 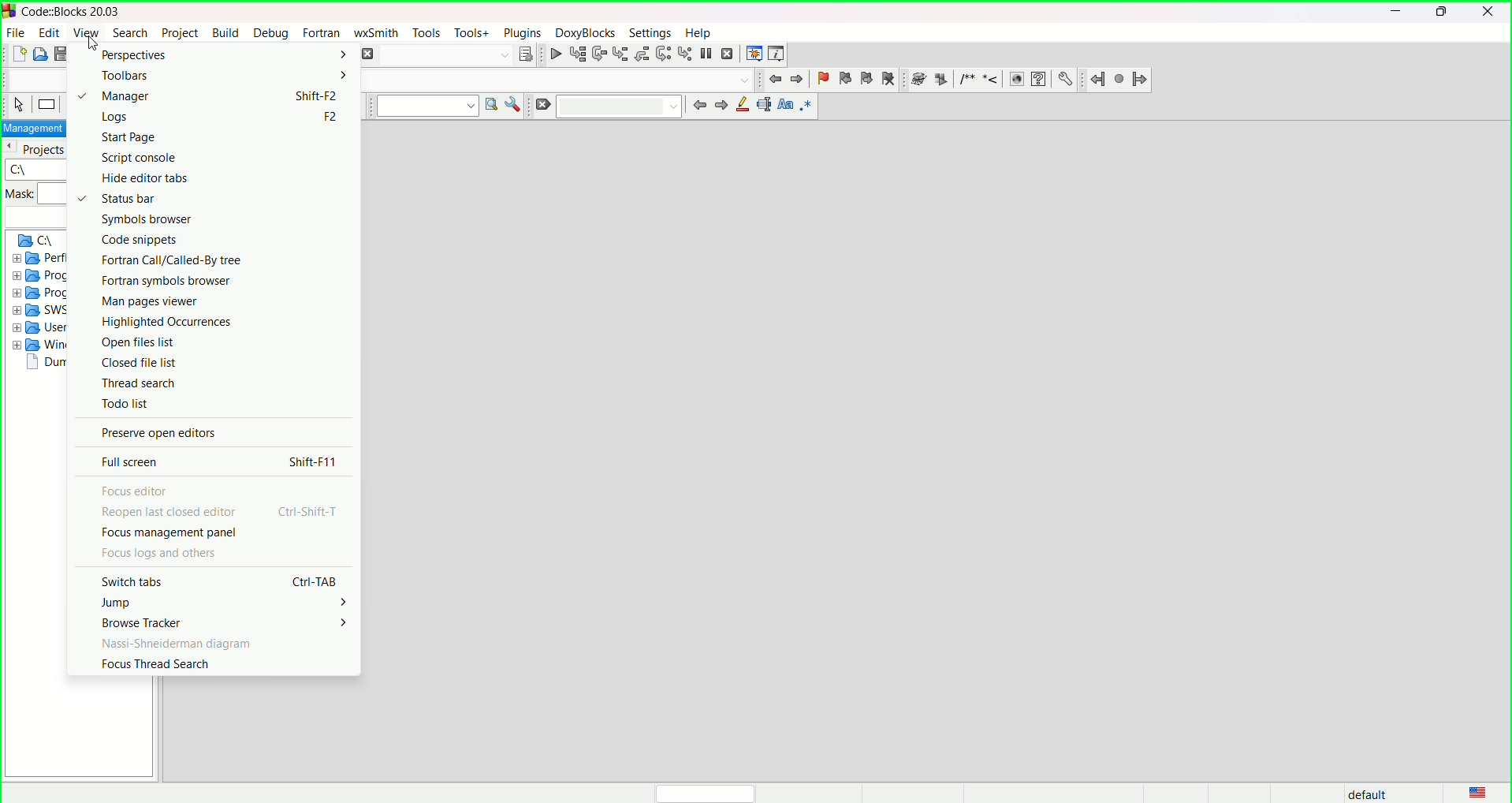 I want to click on debug, so click(x=272, y=32).